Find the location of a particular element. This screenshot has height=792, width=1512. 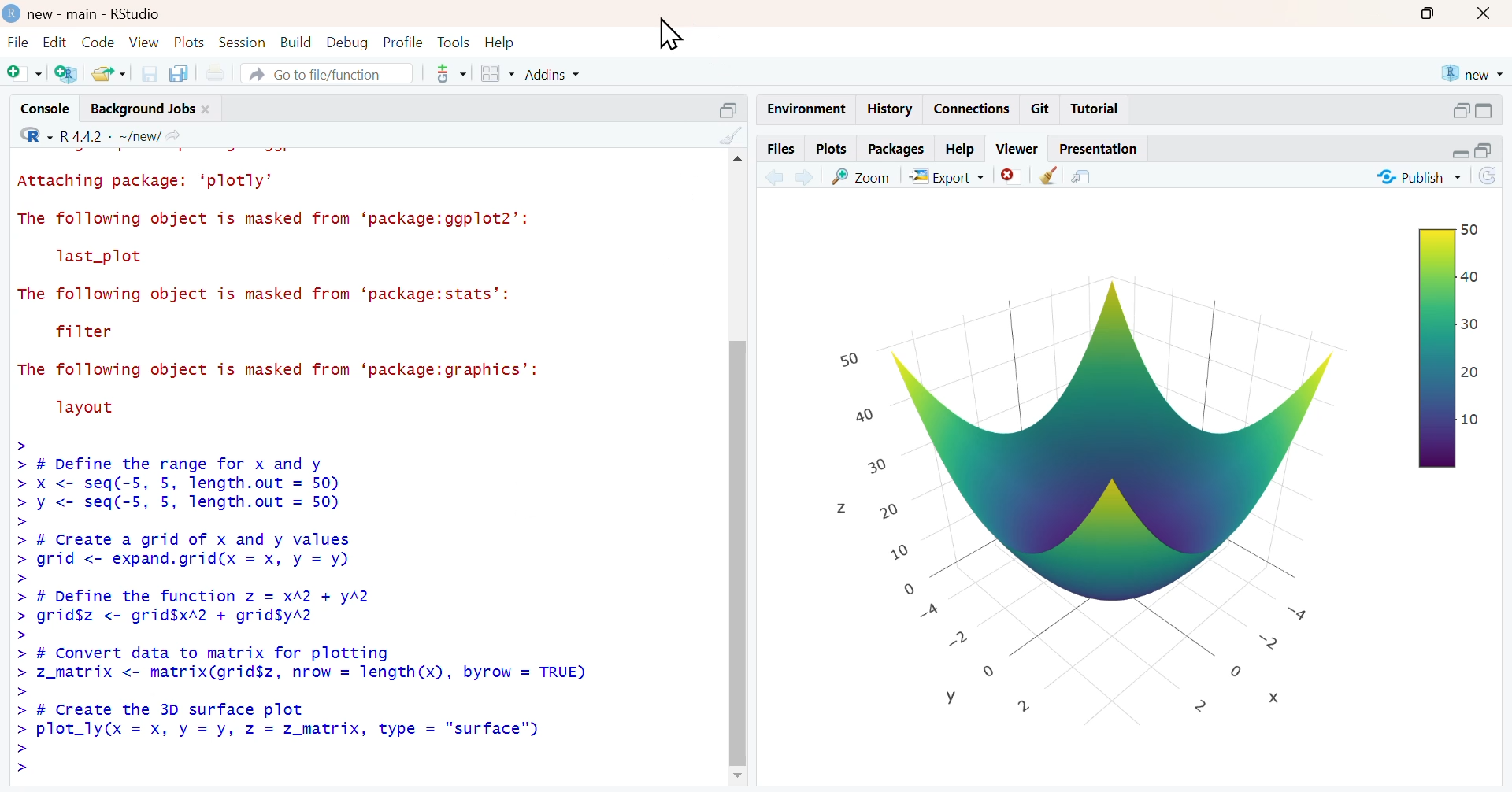

minimize is located at coordinates (1459, 109).